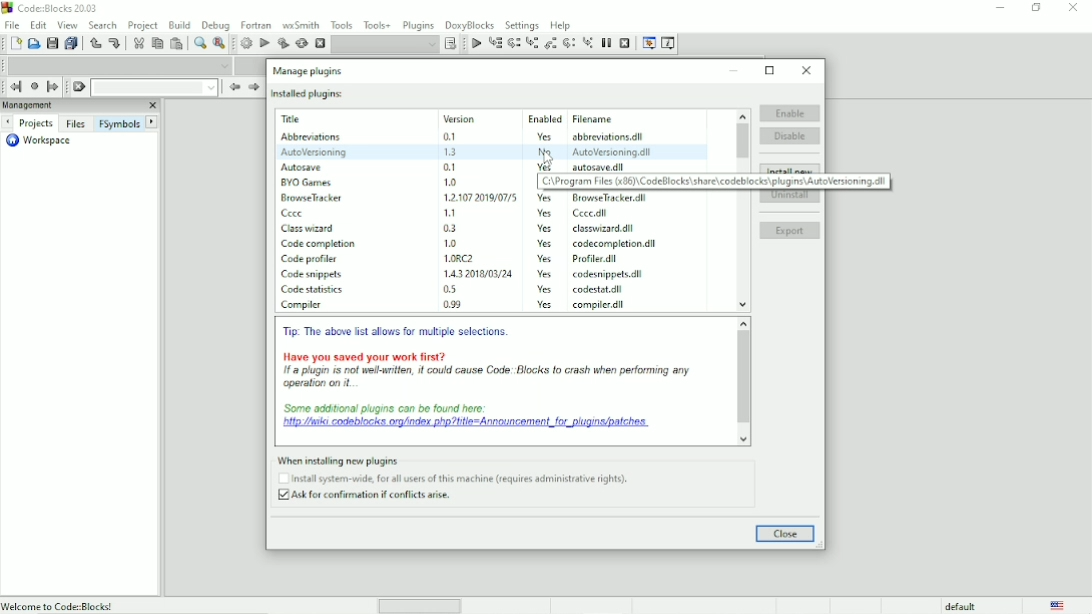  What do you see at coordinates (452, 167) in the screenshot?
I see `version ` at bounding box center [452, 167].